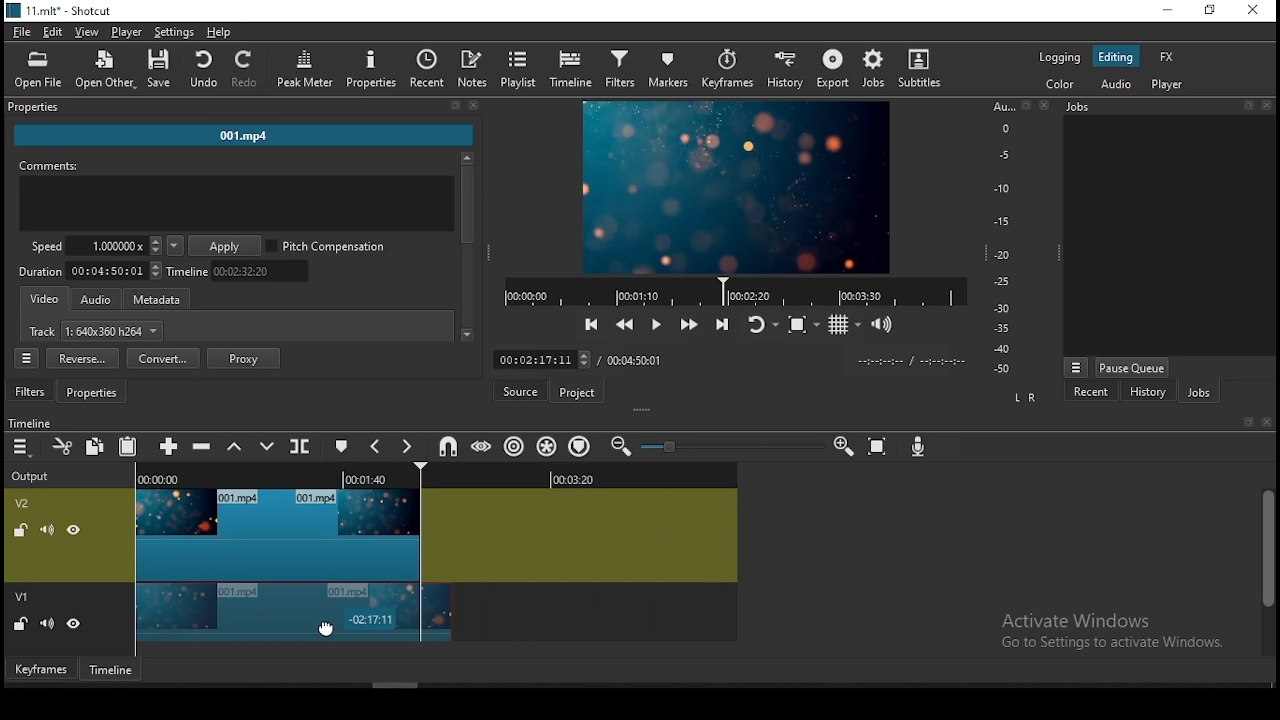 The height and width of the screenshot is (720, 1280). I want to click on properties menu, so click(29, 358).